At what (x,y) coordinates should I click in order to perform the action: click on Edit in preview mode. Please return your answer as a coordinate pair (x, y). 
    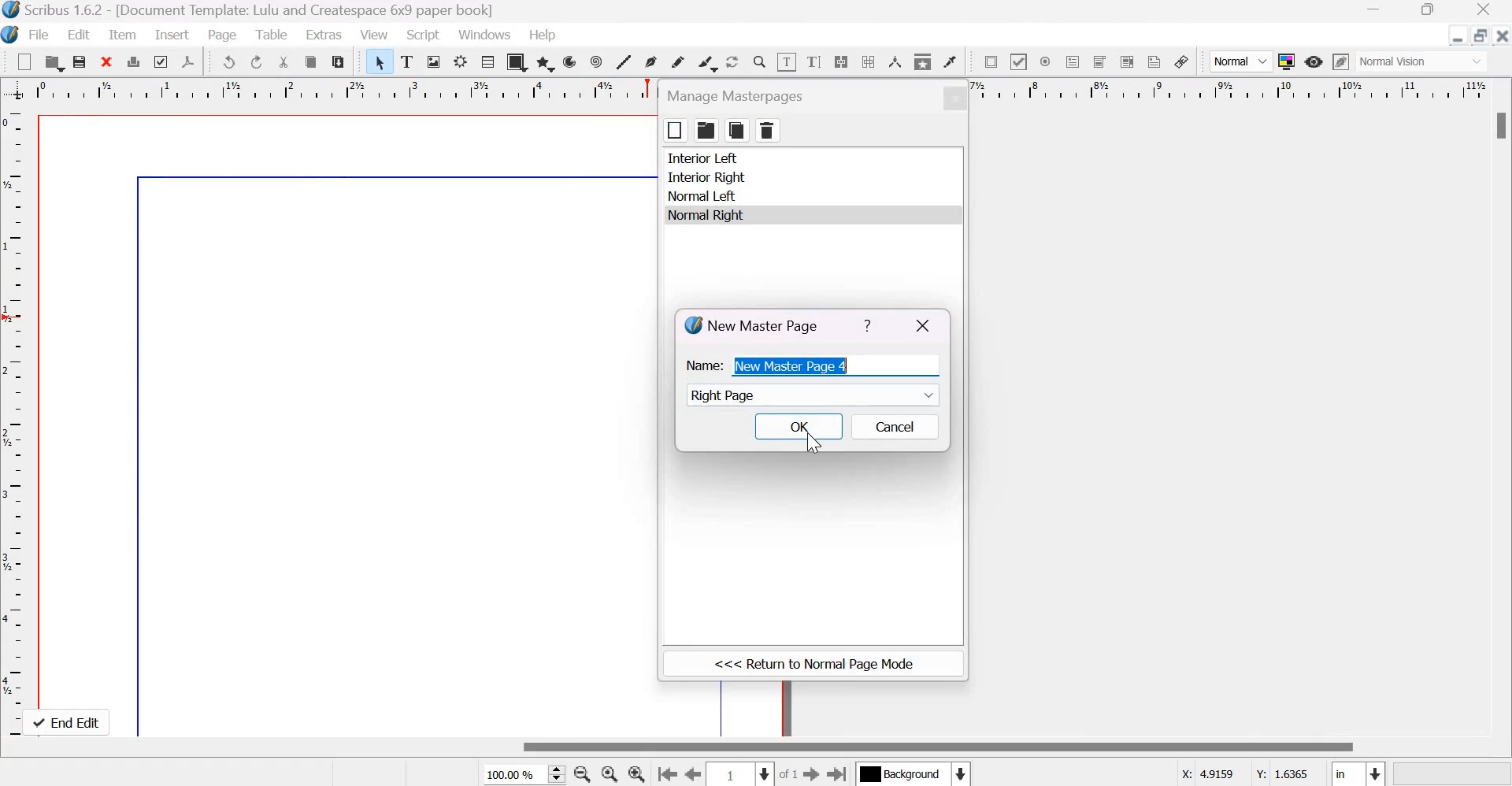
    Looking at the image, I should click on (1340, 61).